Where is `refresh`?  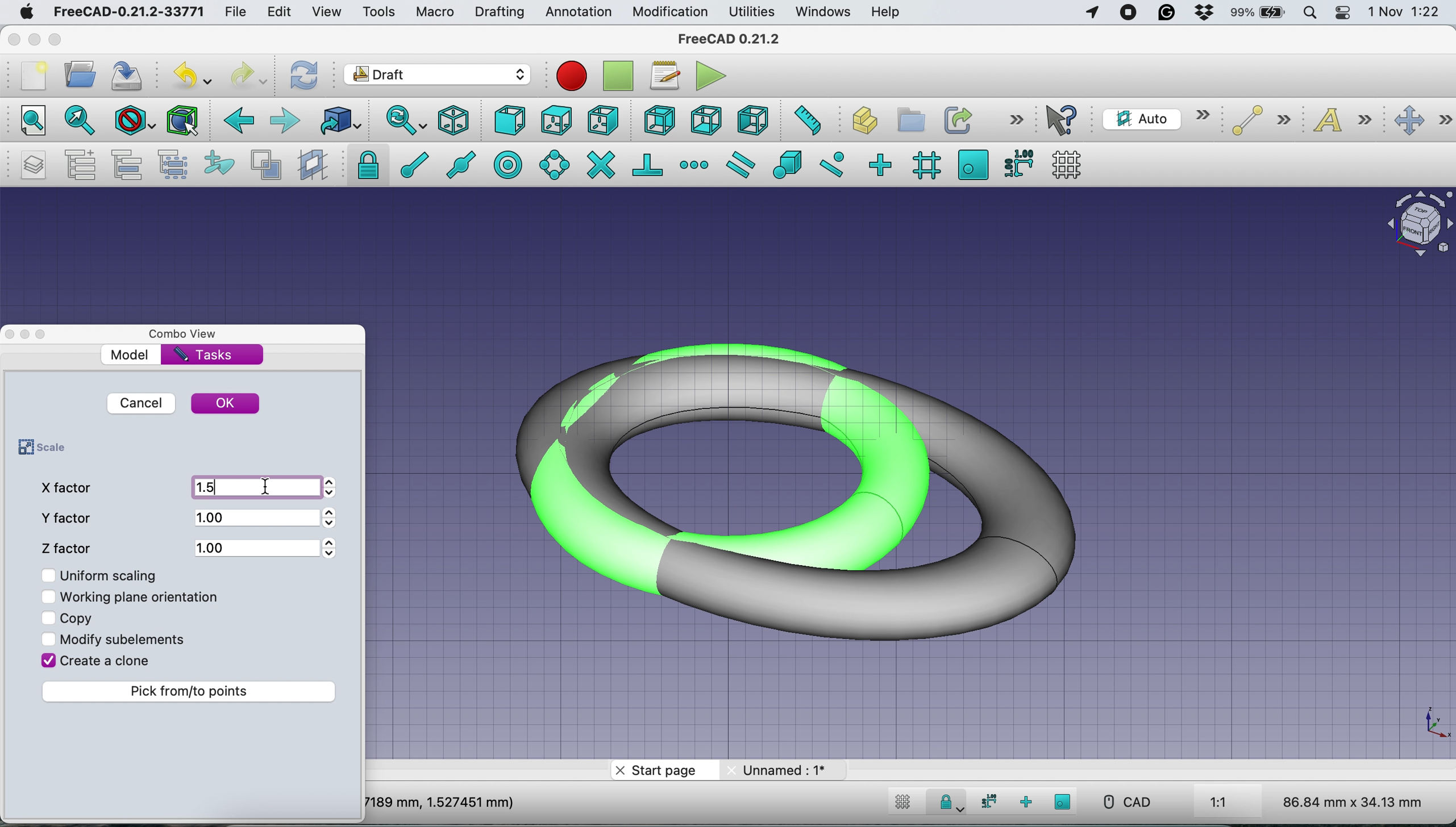 refresh is located at coordinates (305, 76).